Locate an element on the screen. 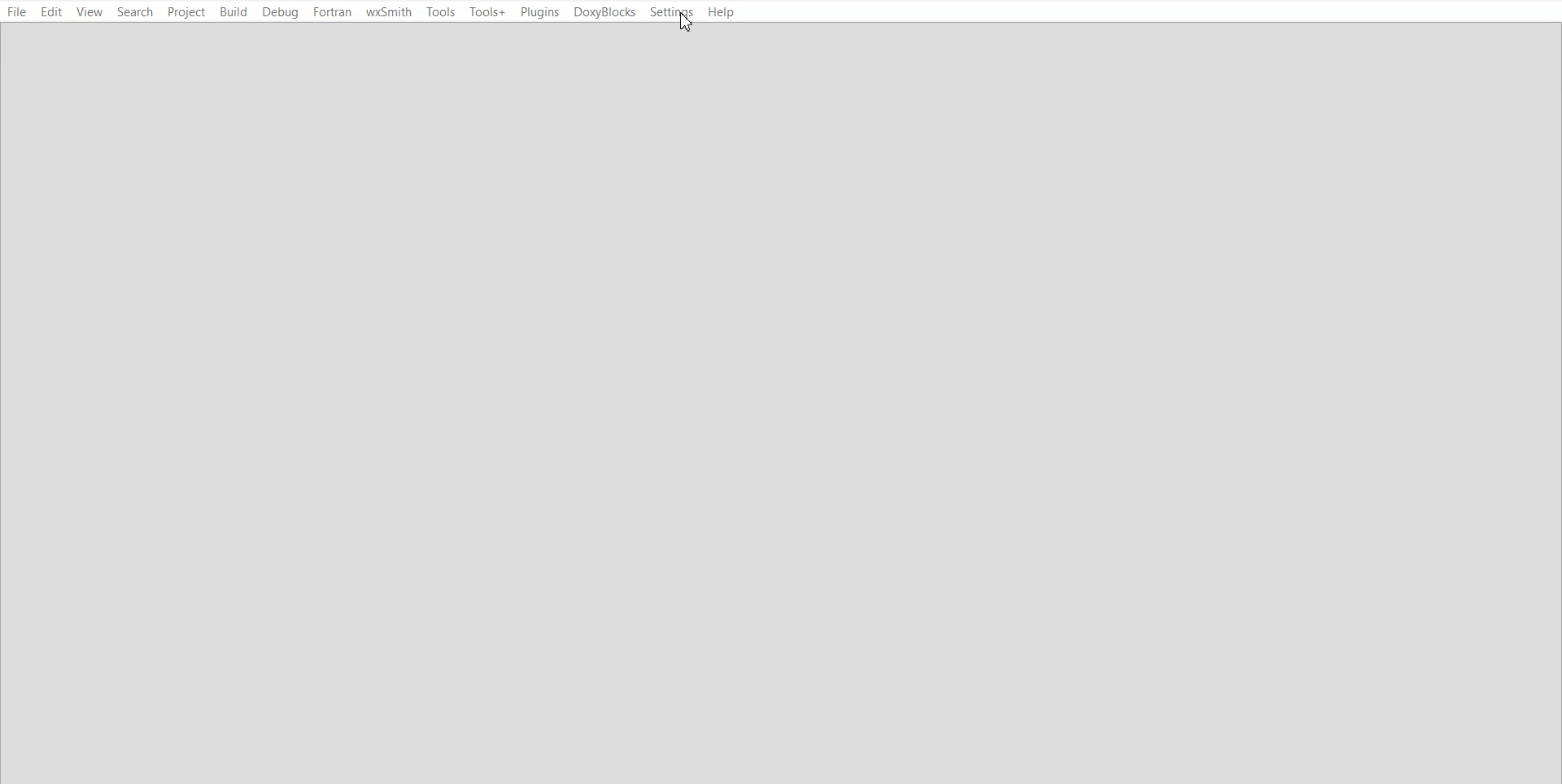 The height and width of the screenshot is (784, 1562). Tools is located at coordinates (442, 12).